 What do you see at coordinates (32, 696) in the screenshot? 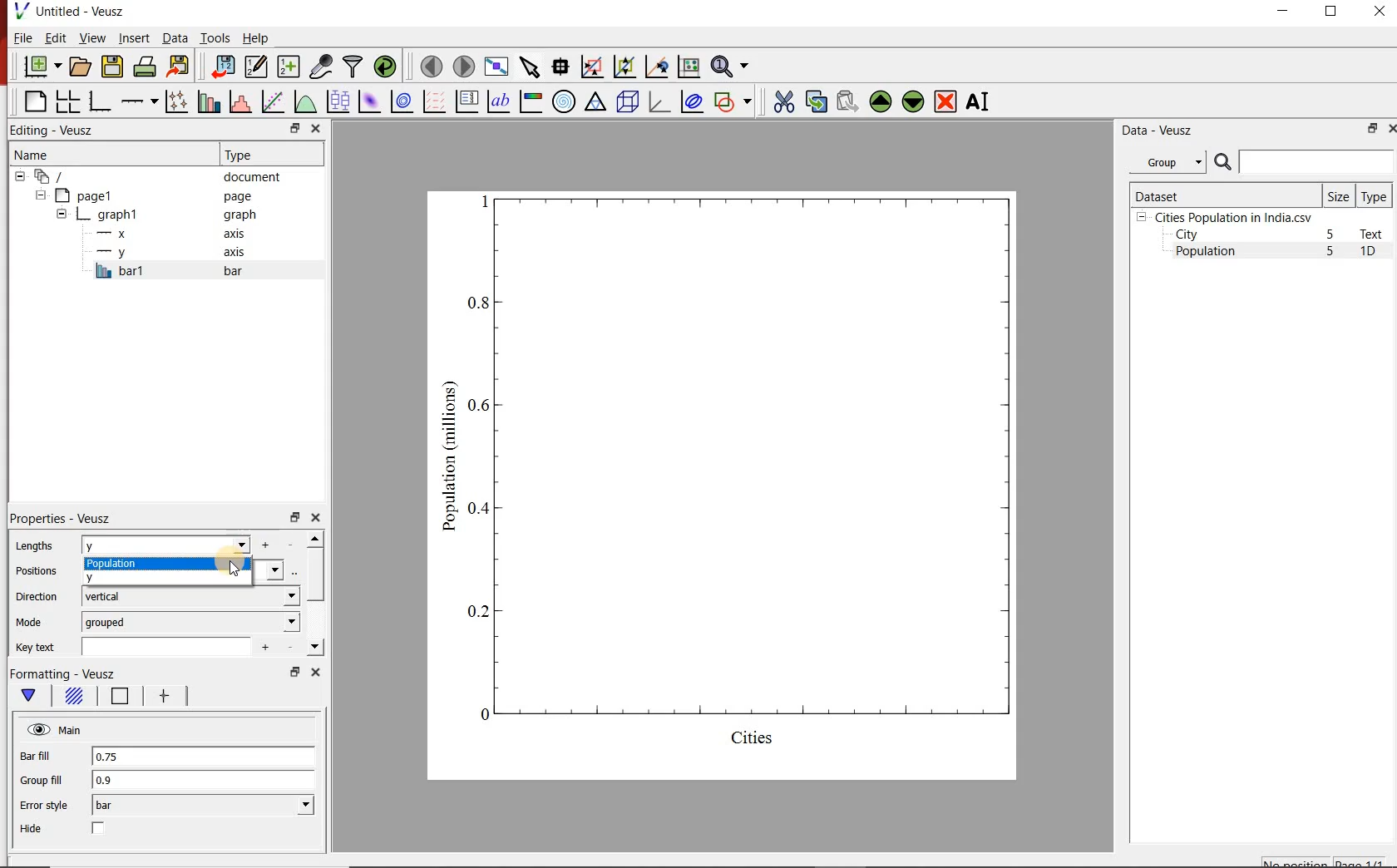
I see `Main formatting` at bounding box center [32, 696].